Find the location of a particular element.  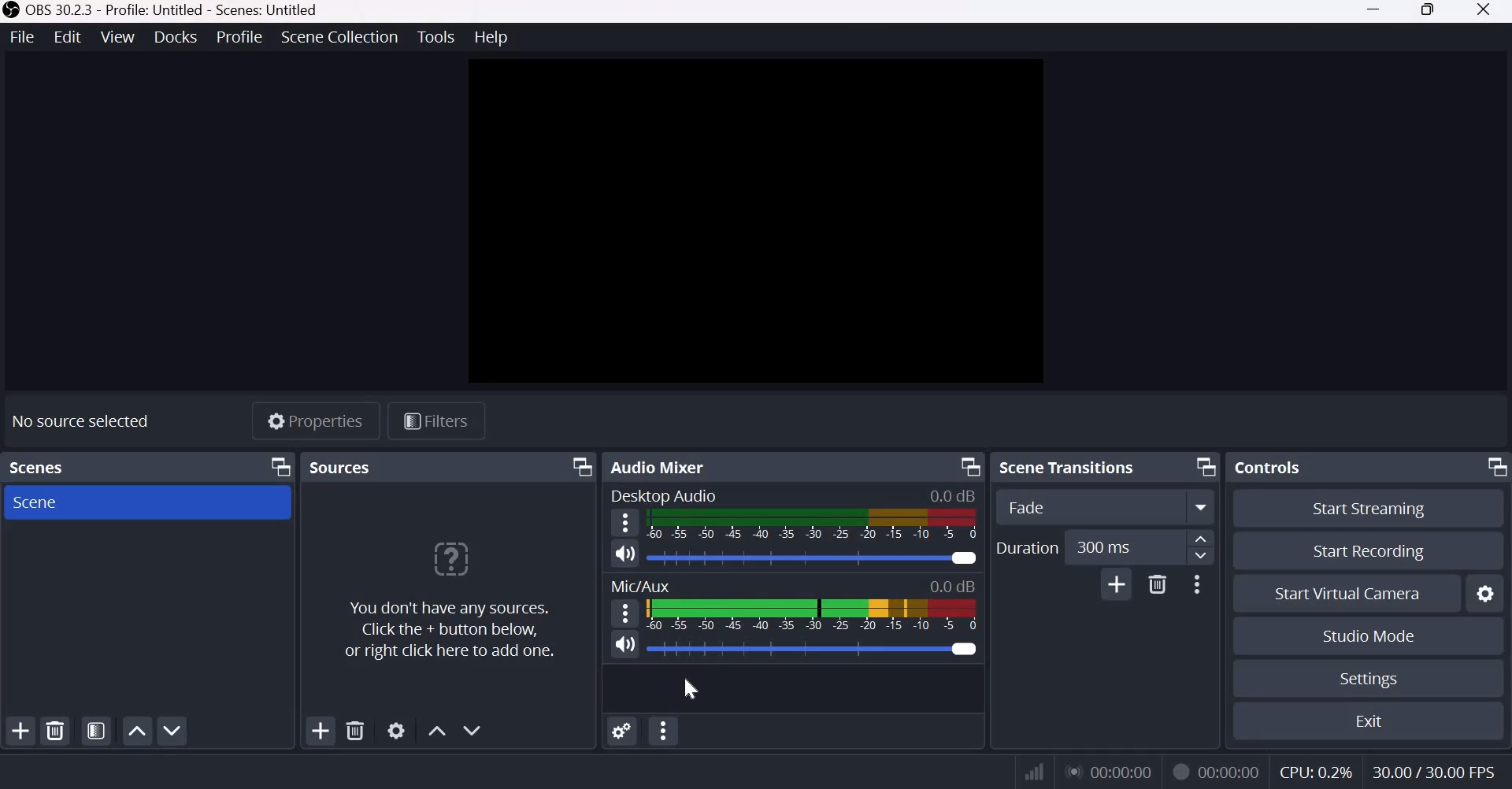

Help is located at coordinates (490, 35).